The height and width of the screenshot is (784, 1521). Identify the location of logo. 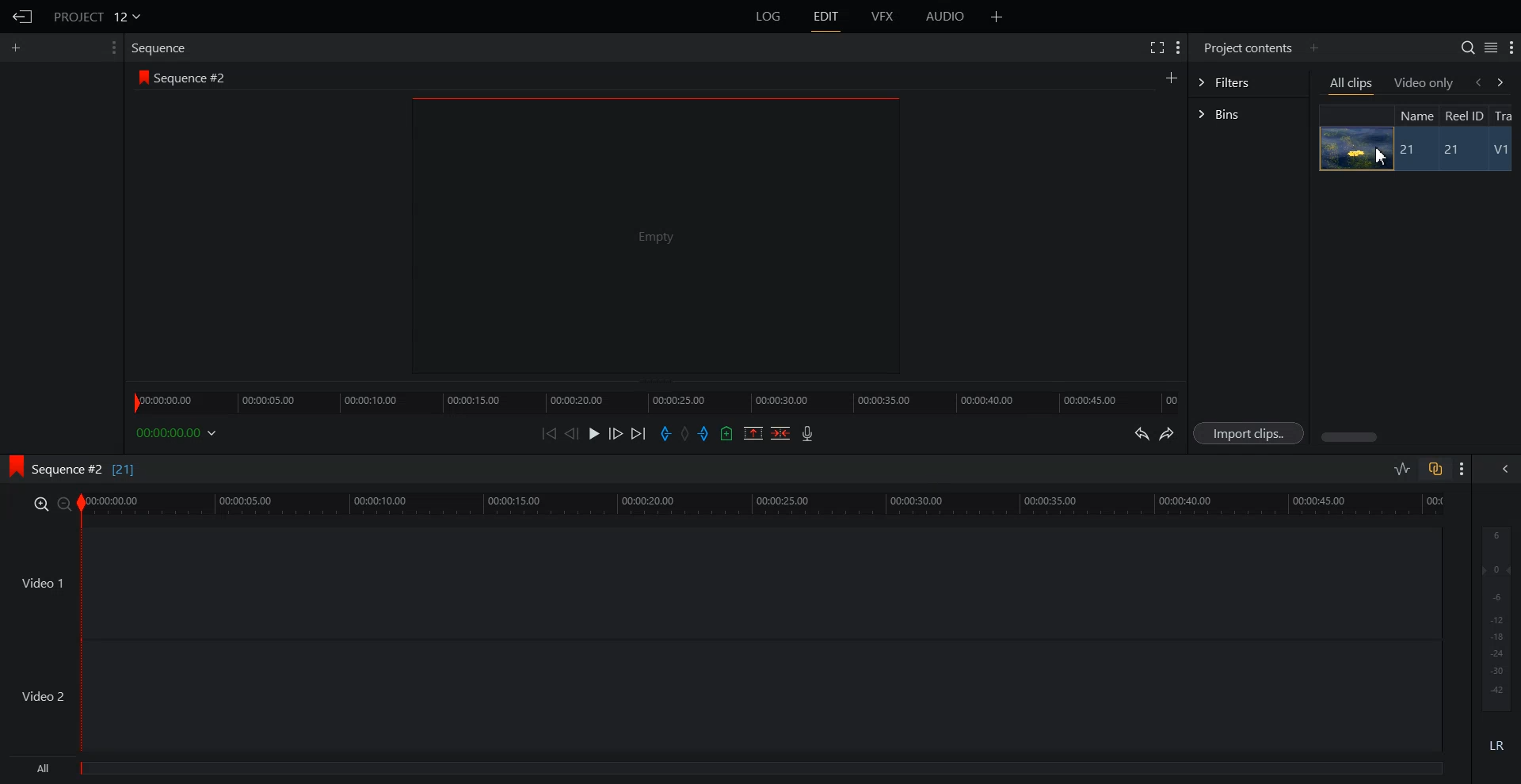
(11, 464).